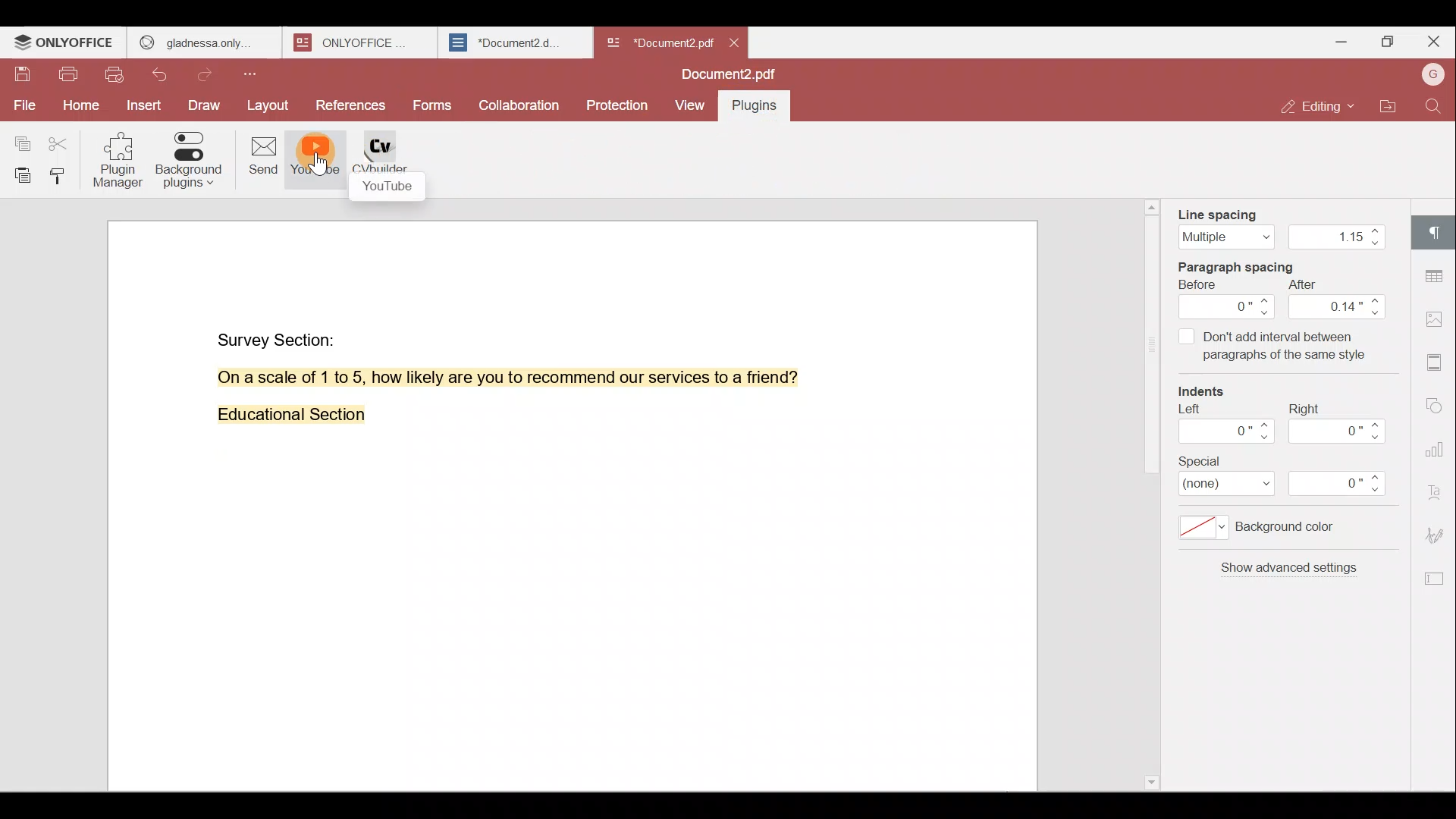 The width and height of the screenshot is (1456, 819). I want to click on Maximize, so click(1386, 44).